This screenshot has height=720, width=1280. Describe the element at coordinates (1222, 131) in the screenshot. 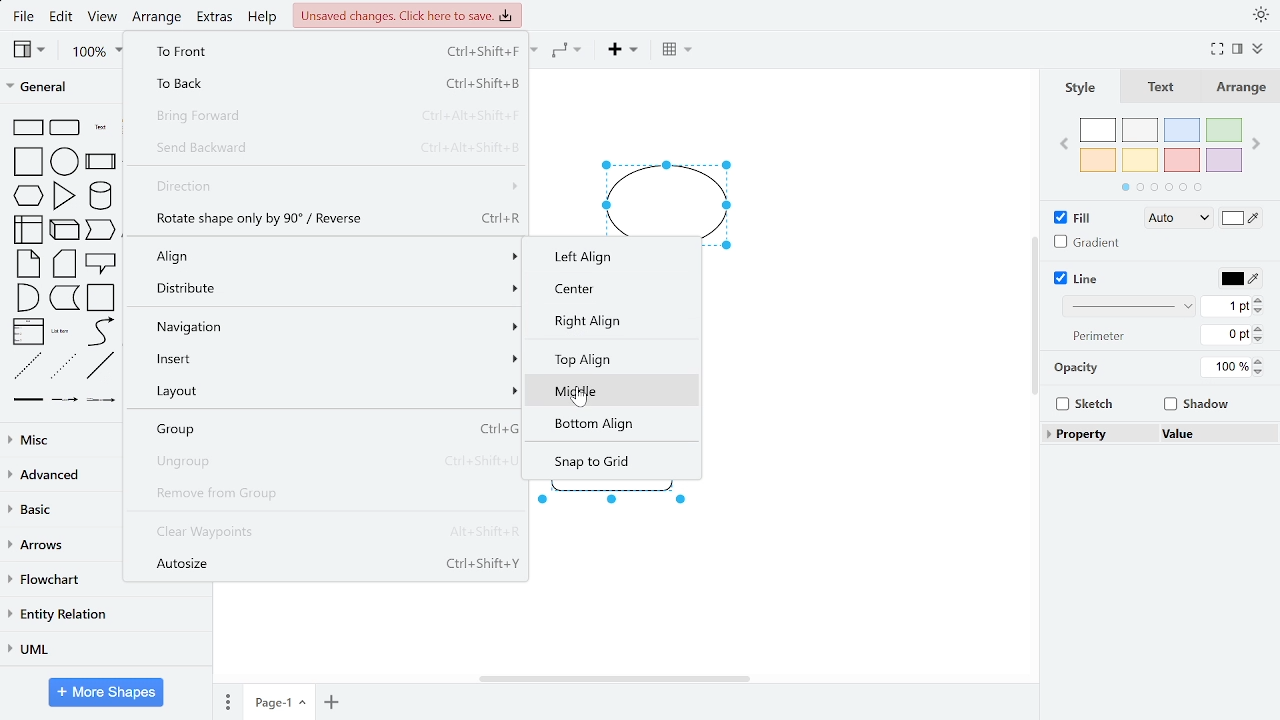

I see `green` at that location.